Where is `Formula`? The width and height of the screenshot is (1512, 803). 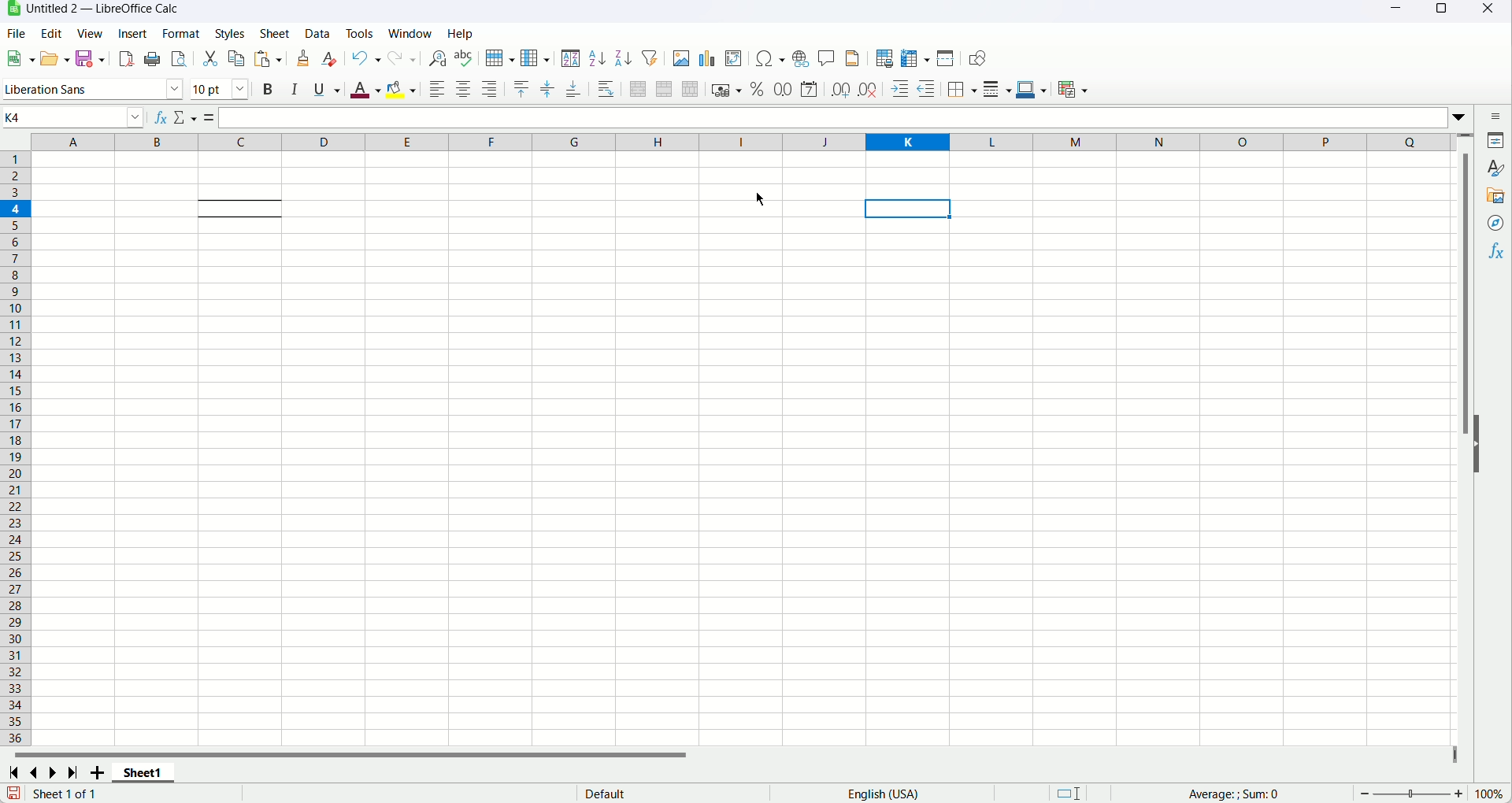 Formula is located at coordinates (212, 119).